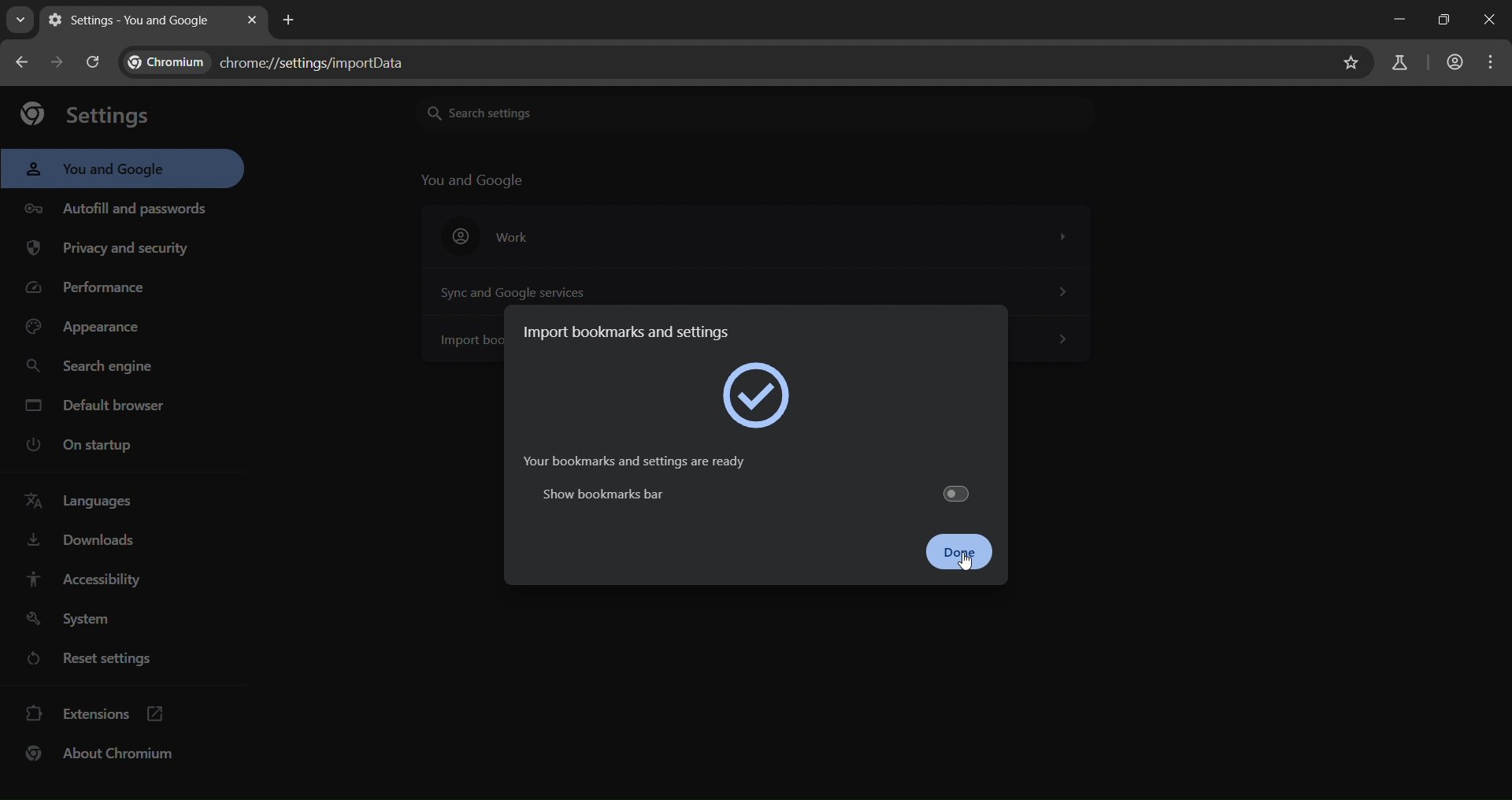 The image size is (1512, 800). What do you see at coordinates (1438, 19) in the screenshot?
I see `restore down` at bounding box center [1438, 19].